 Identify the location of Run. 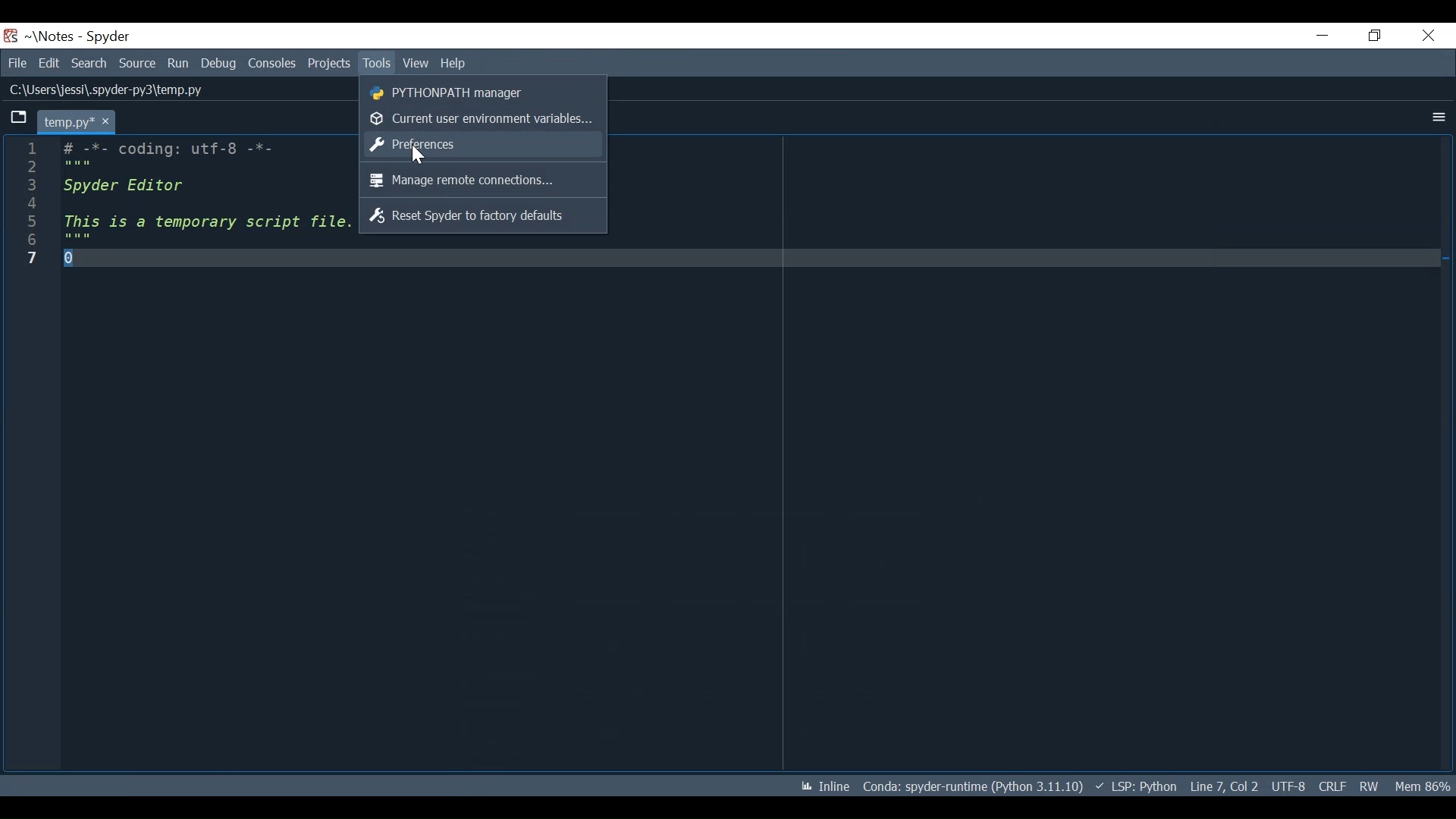
(179, 64).